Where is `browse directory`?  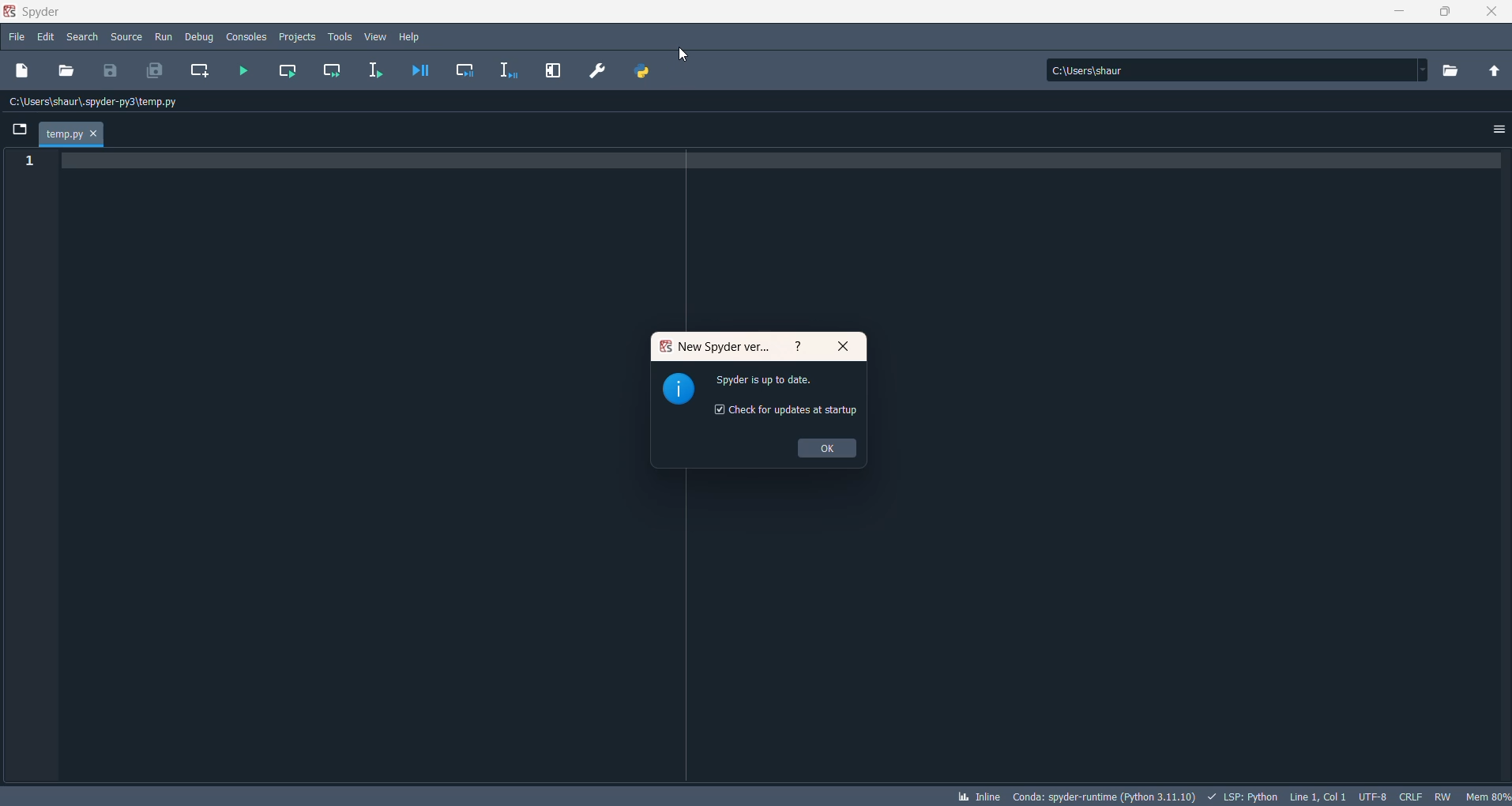 browse directory is located at coordinates (1456, 69).